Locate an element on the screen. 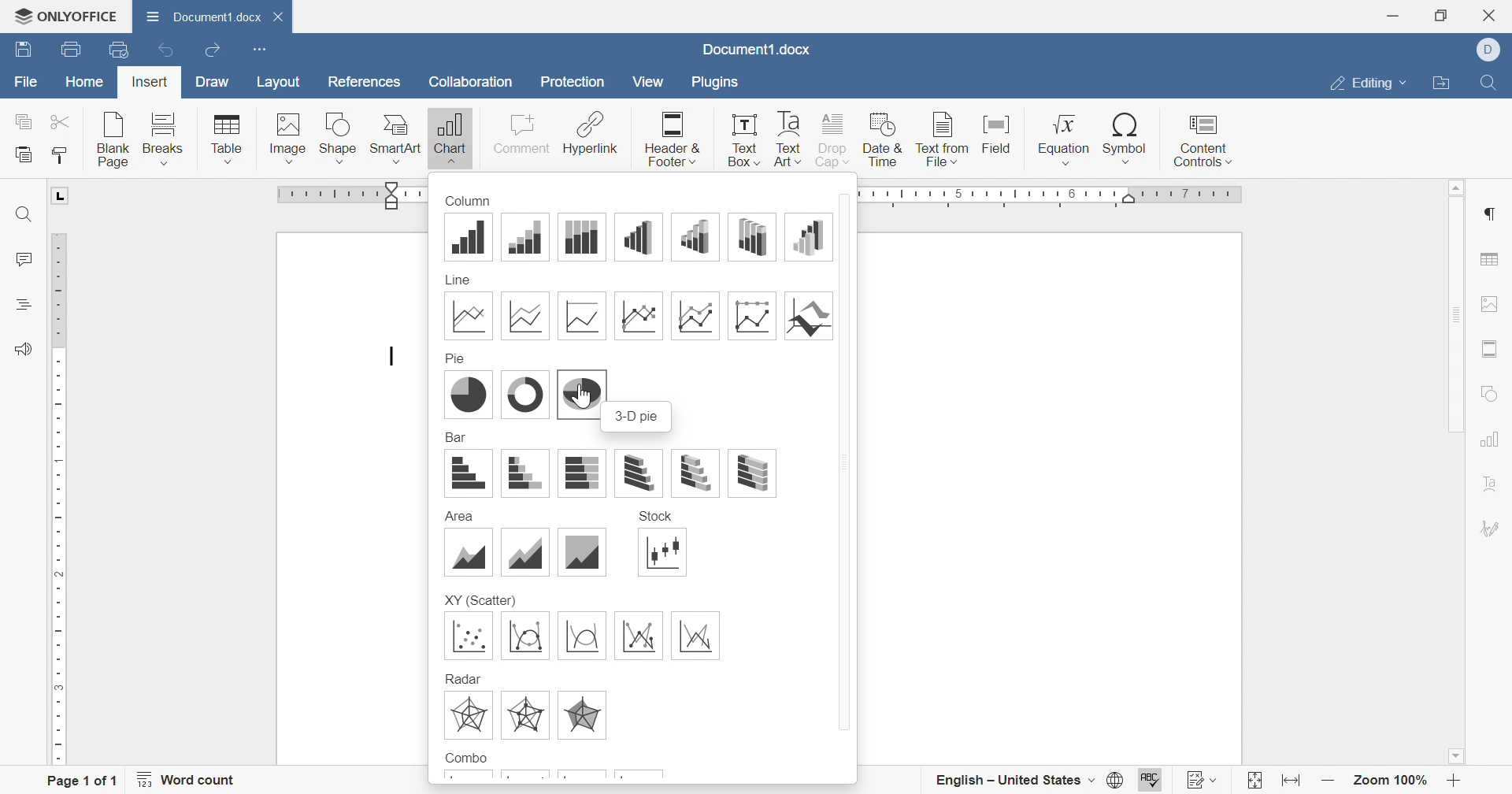  Text Art Settings is located at coordinates (1496, 483).